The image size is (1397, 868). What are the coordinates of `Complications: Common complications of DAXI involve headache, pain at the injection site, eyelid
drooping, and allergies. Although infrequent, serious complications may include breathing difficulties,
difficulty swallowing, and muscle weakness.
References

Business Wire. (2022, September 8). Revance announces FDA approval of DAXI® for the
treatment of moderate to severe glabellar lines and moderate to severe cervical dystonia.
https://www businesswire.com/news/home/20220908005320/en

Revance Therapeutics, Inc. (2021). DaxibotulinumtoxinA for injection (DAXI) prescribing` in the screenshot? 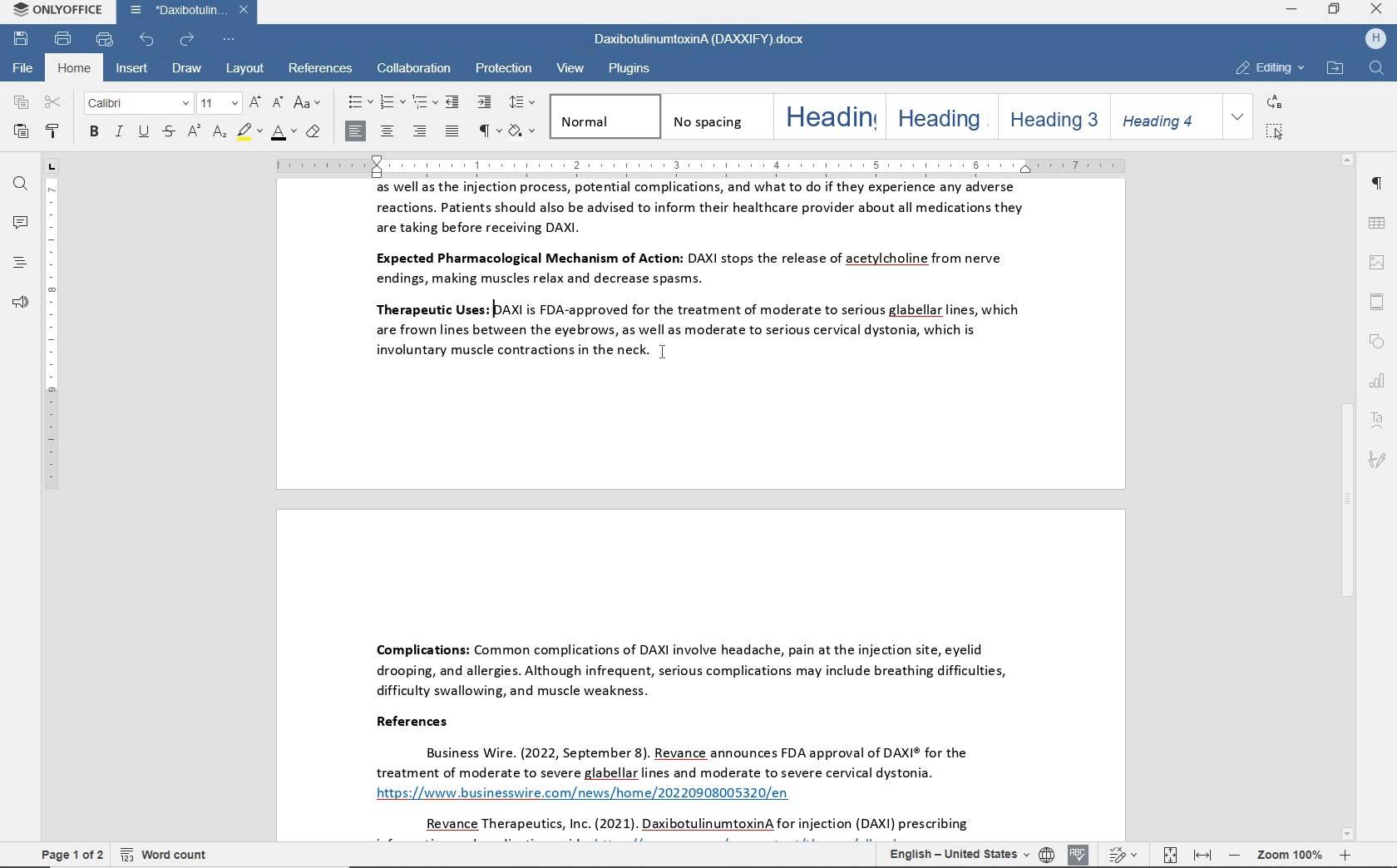 It's located at (699, 674).